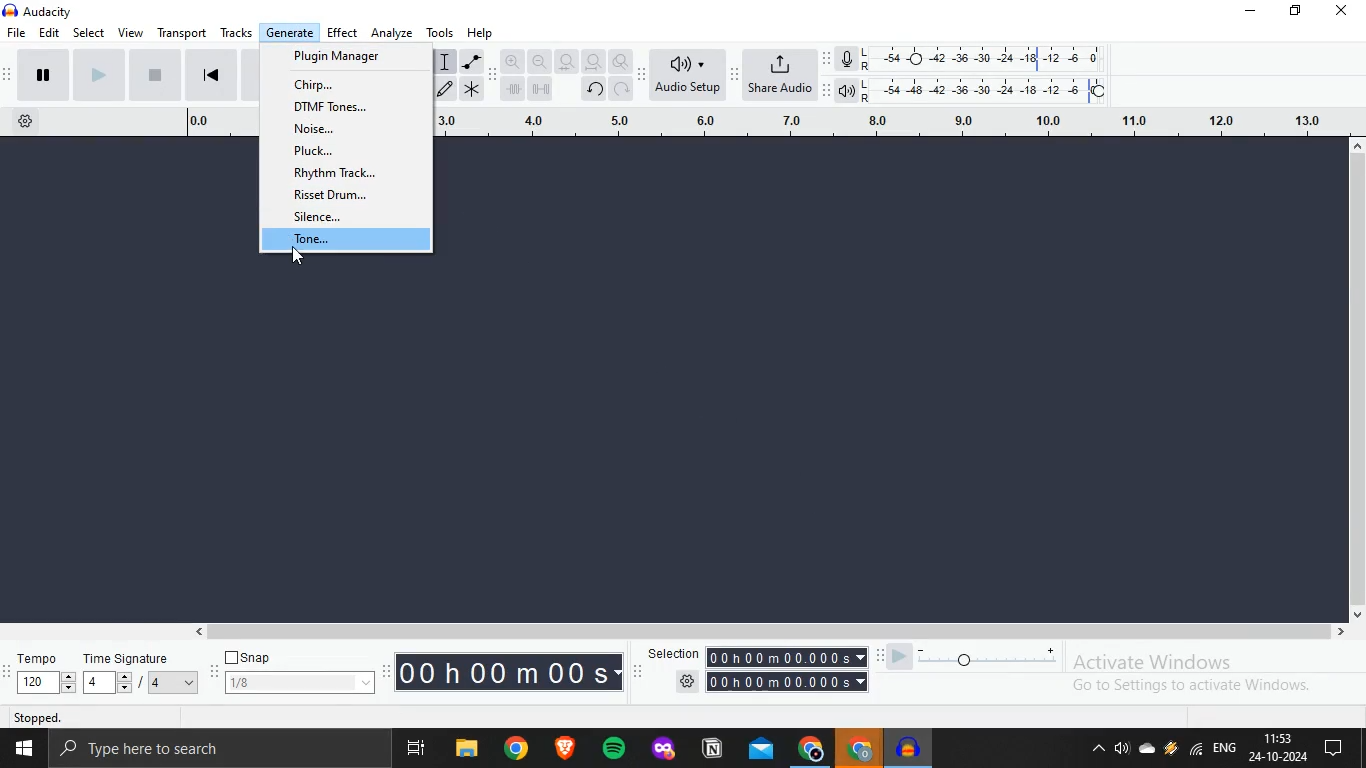 The width and height of the screenshot is (1366, 768). What do you see at coordinates (767, 682) in the screenshot?
I see `Settings` at bounding box center [767, 682].